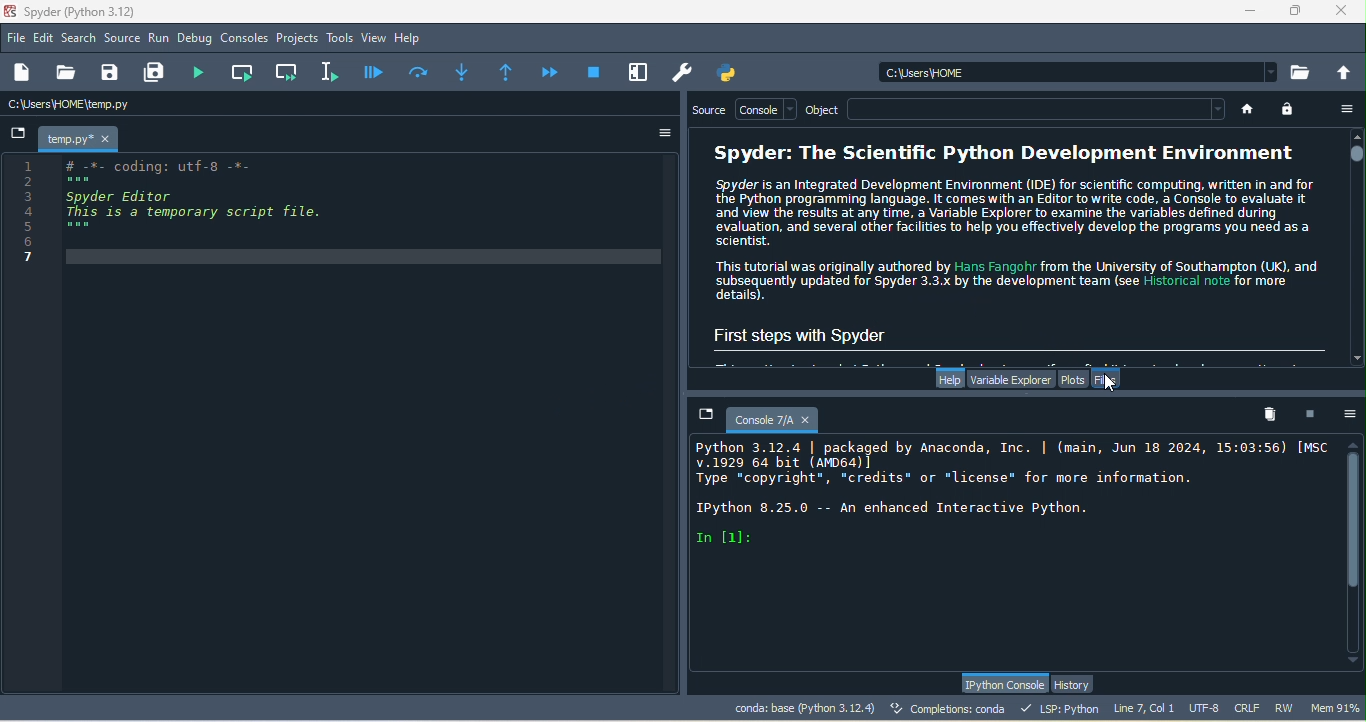  I want to click on object, so click(822, 110).